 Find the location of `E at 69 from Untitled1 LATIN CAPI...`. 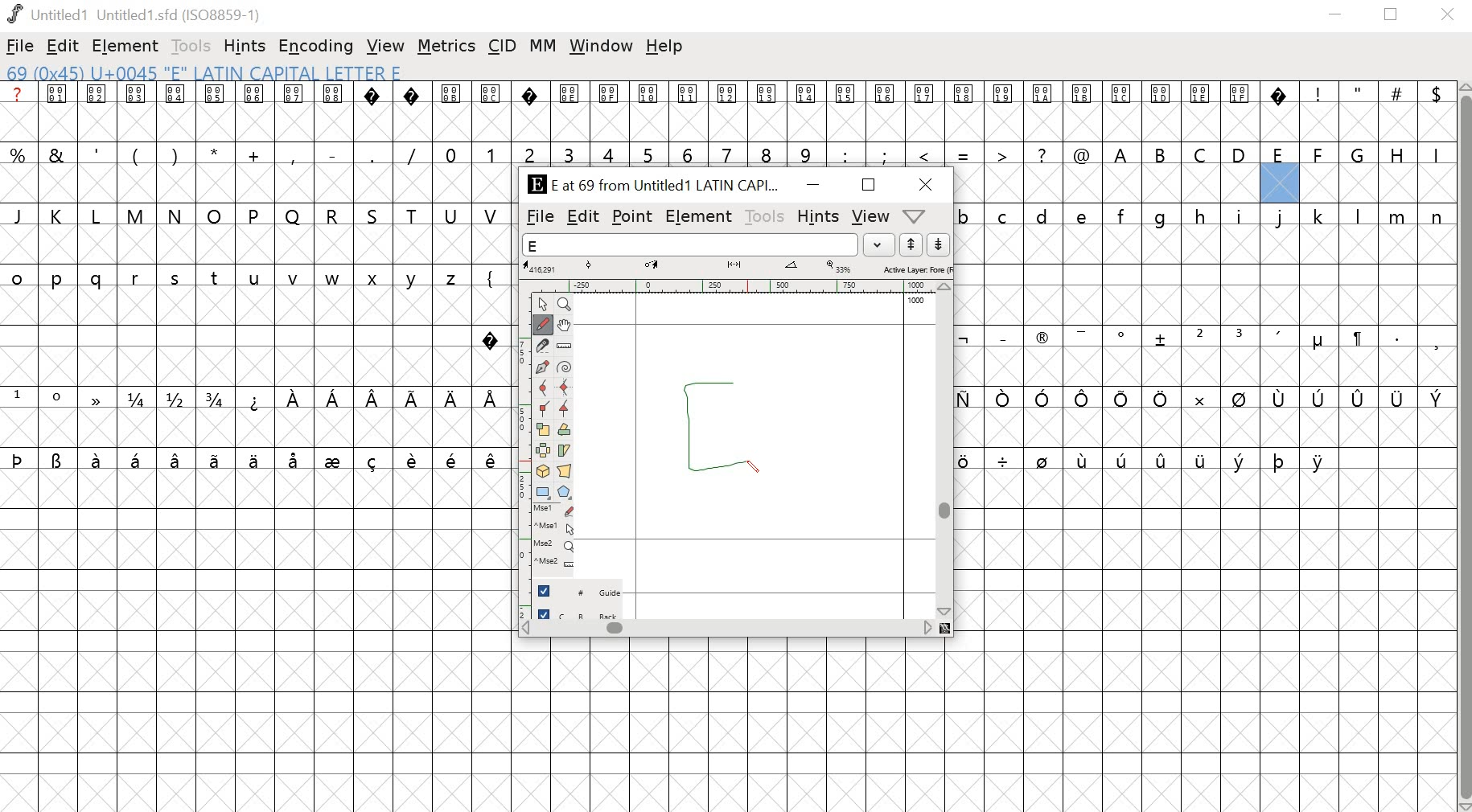

E at 69 from Untitled1 LATIN CAPI... is located at coordinates (651, 186).